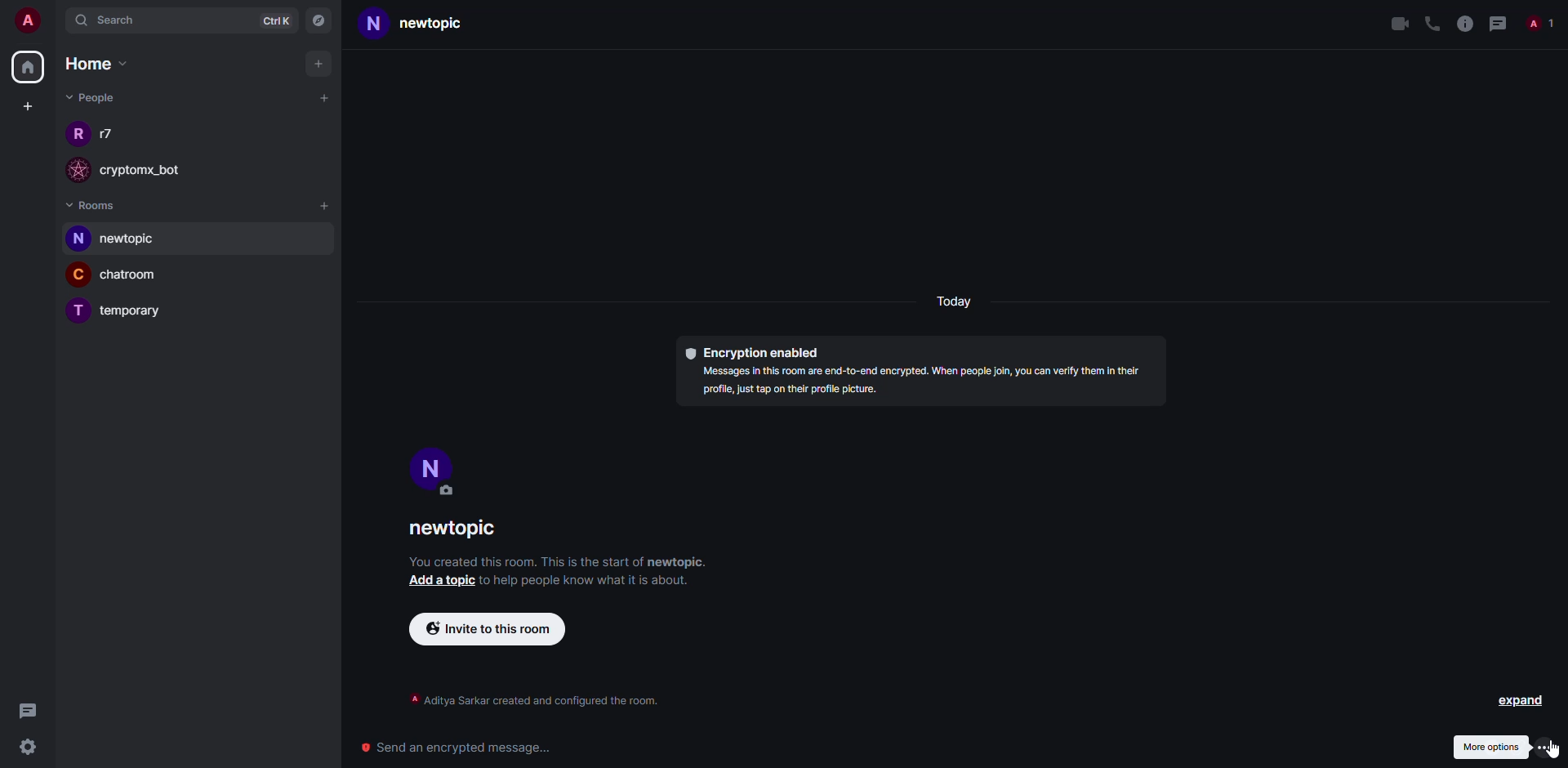 Image resolution: width=1568 pixels, height=768 pixels. What do you see at coordinates (109, 134) in the screenshot?
I see `people` at bounding box center [109, 134].